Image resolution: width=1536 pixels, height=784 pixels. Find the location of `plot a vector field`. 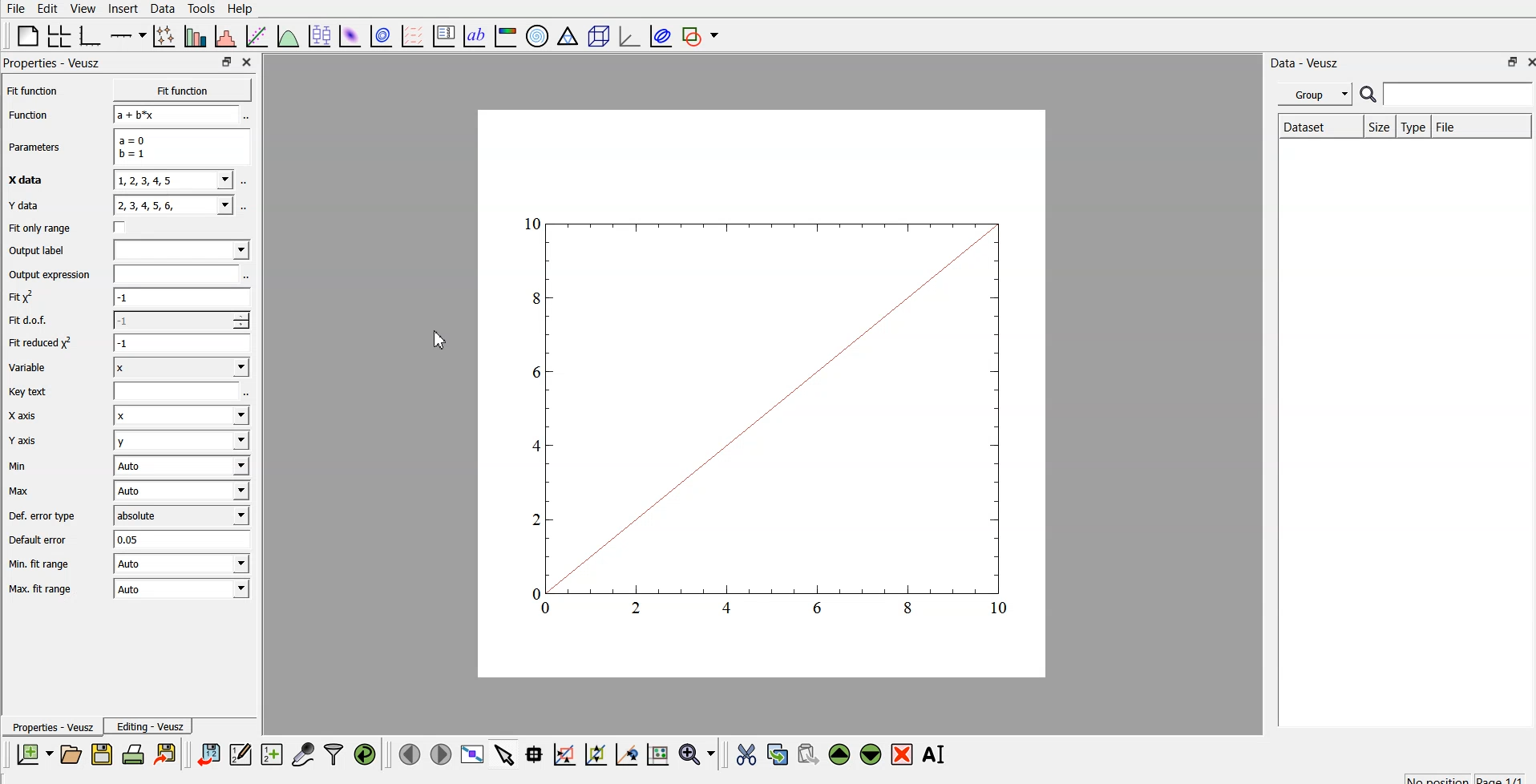

plot a vector field is located at coordinates (412, 37).